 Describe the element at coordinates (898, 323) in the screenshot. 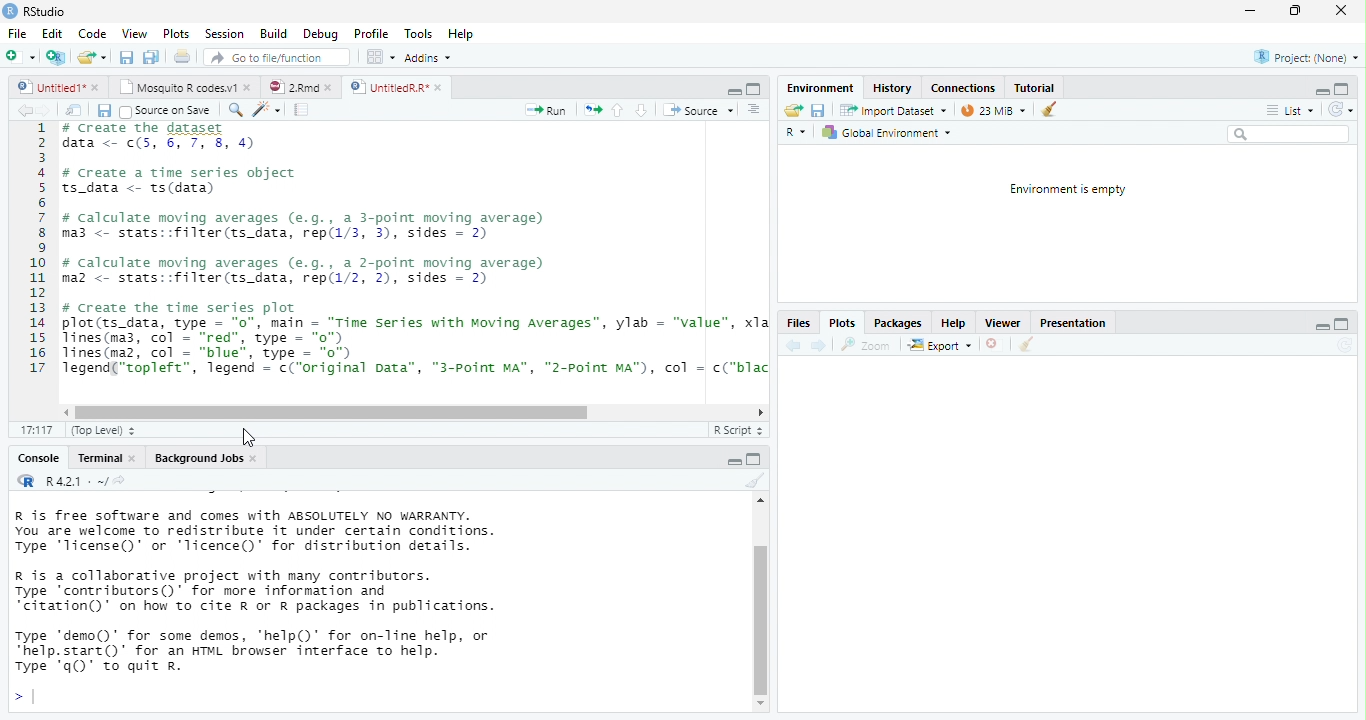

I see `Packages` at that location.